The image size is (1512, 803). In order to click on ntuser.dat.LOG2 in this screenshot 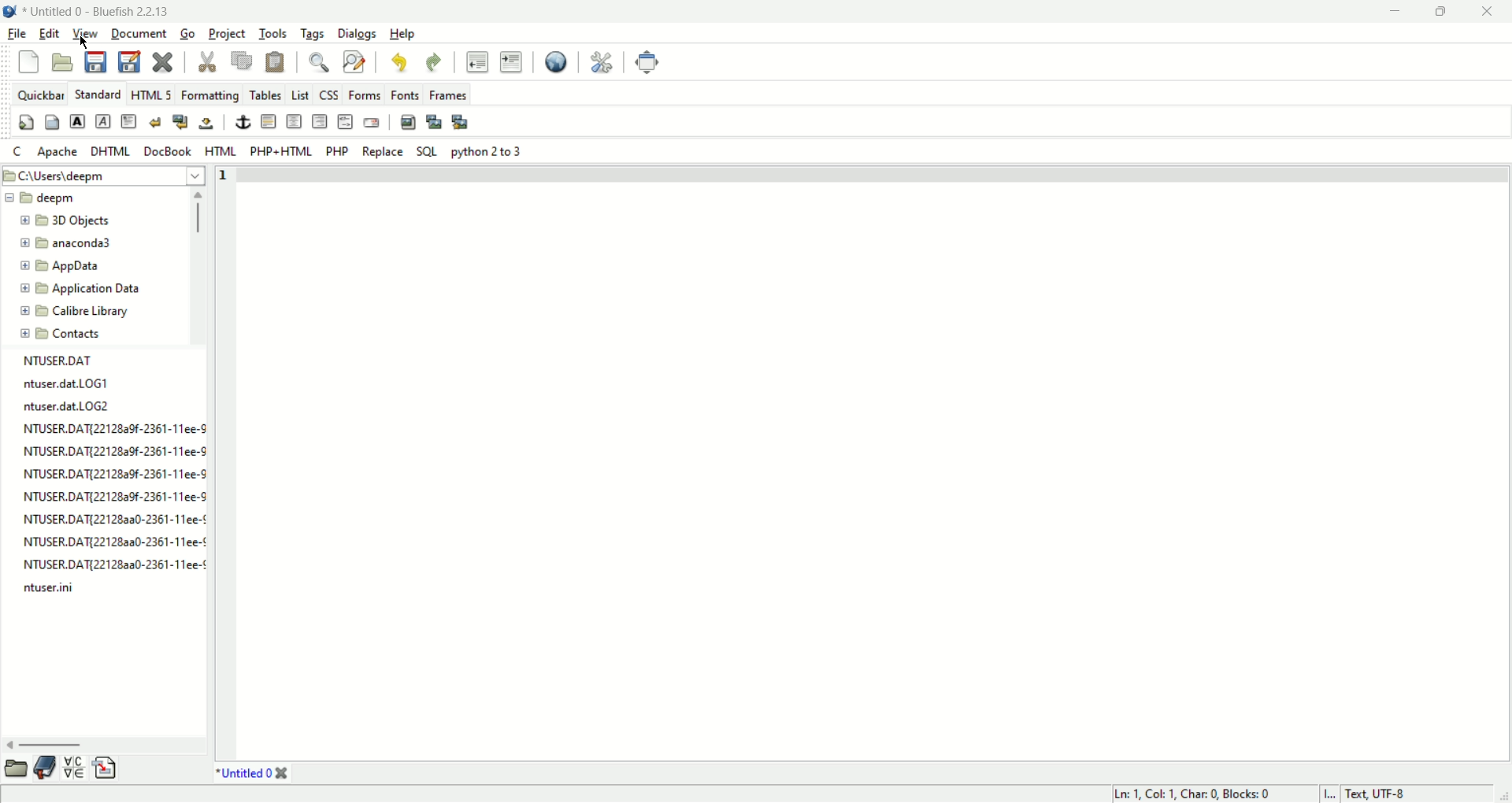, I will do `click(67, 406)`.